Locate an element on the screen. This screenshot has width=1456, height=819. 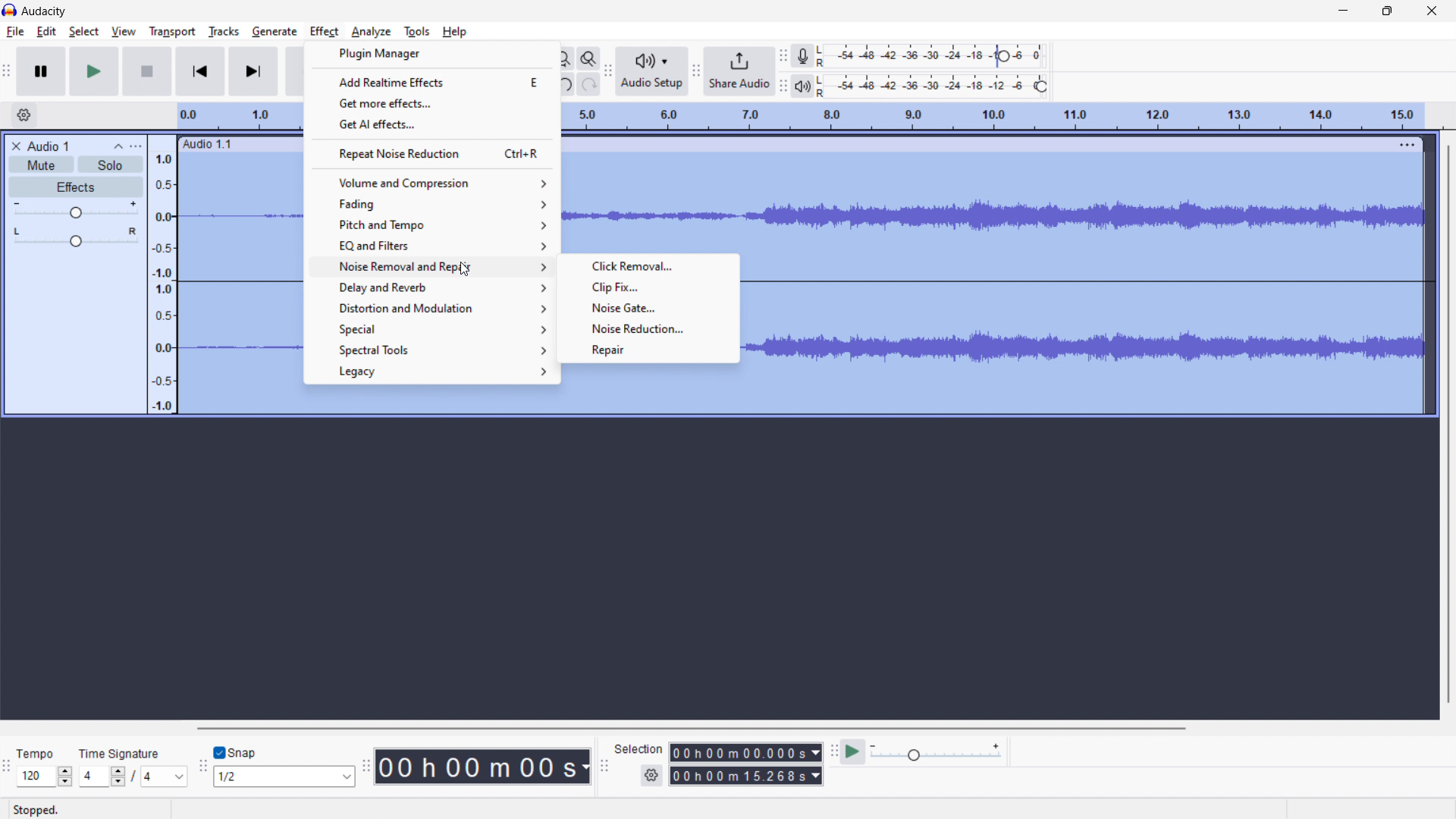
set tempo is located at coordinates (45, 765).